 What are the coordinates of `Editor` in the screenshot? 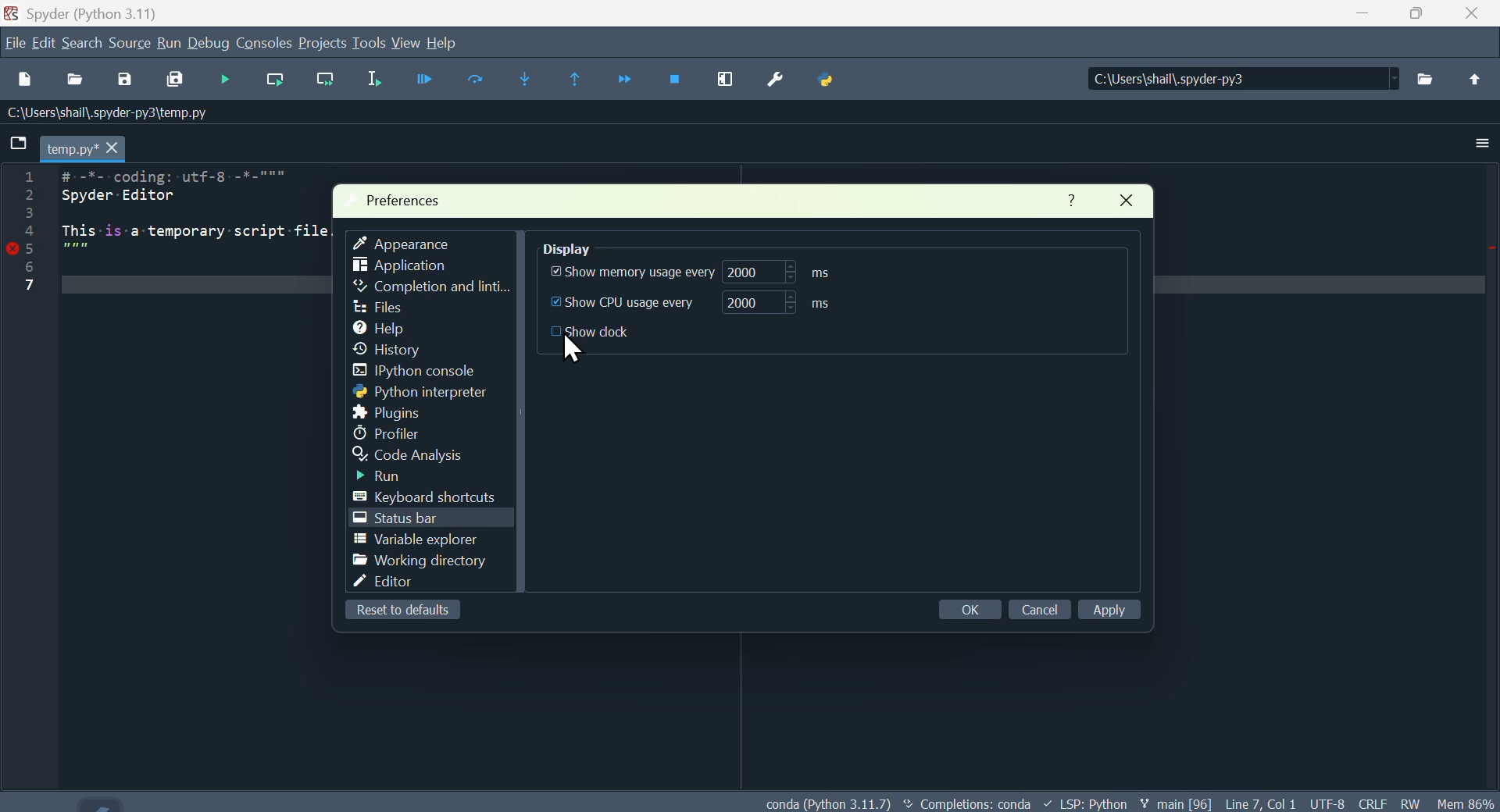 It's located at (405, 585).